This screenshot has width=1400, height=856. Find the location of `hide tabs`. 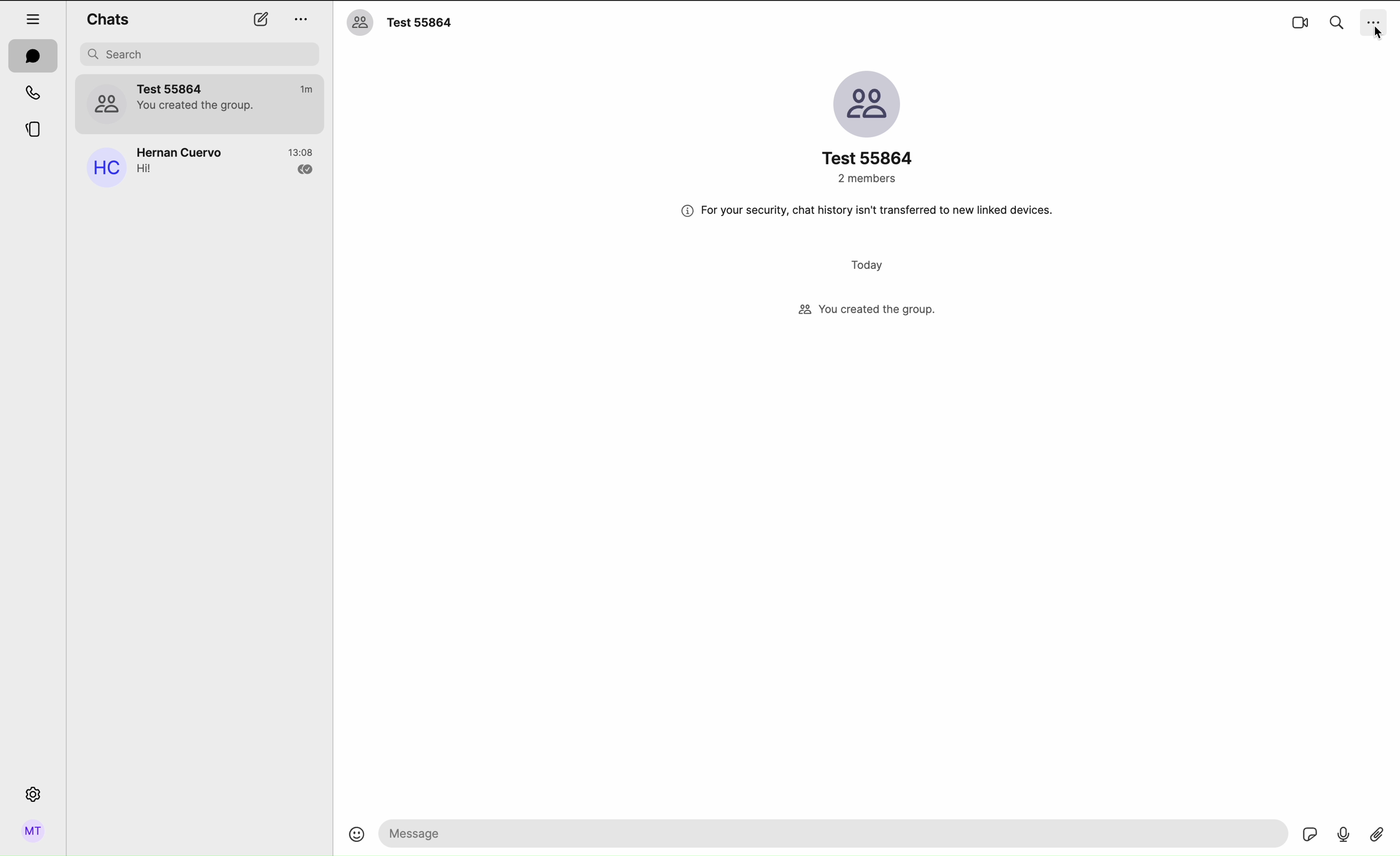

hide tabs is located at coordinates (34, 16).